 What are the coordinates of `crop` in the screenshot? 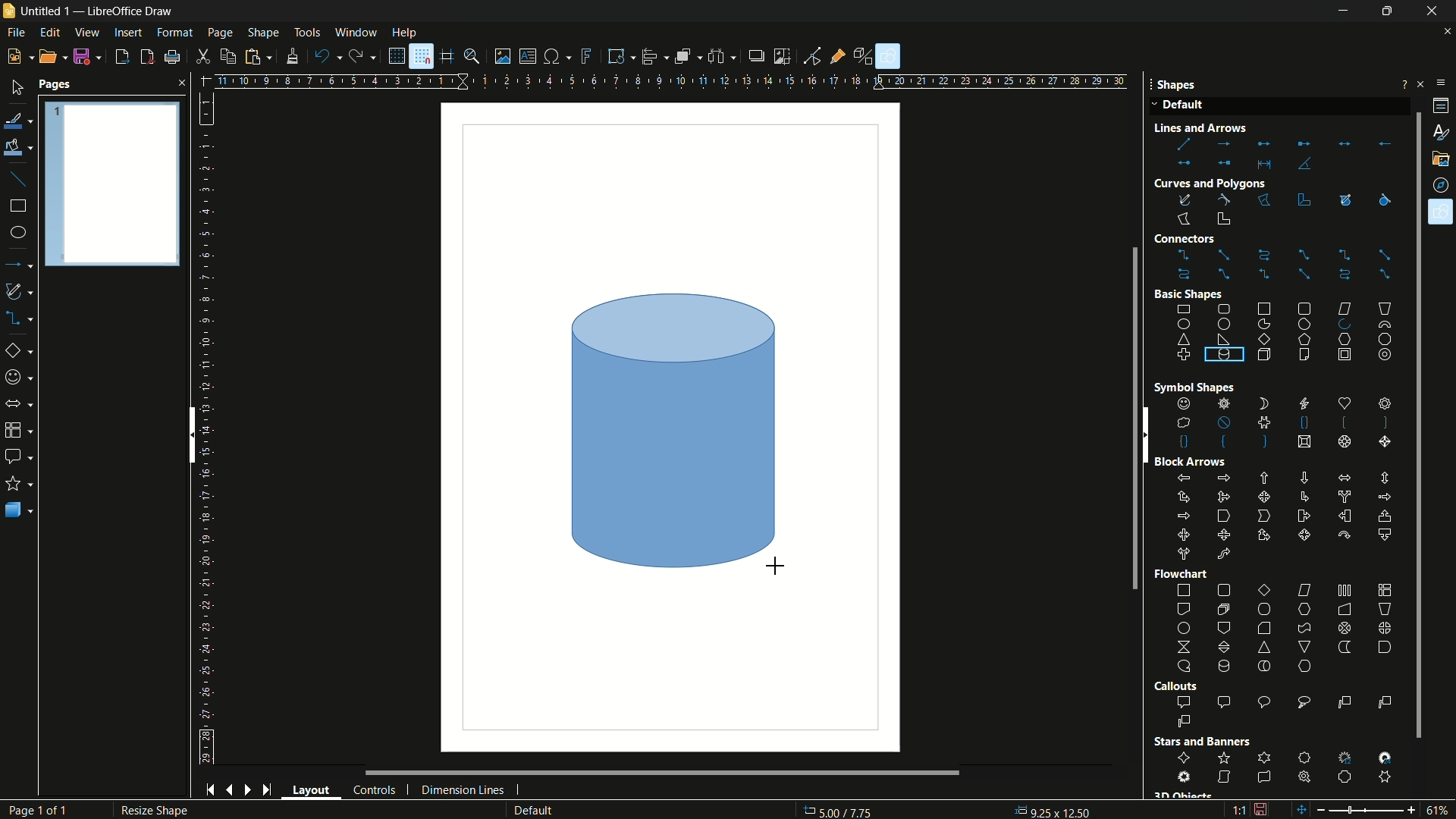 It's located at (781, 56).